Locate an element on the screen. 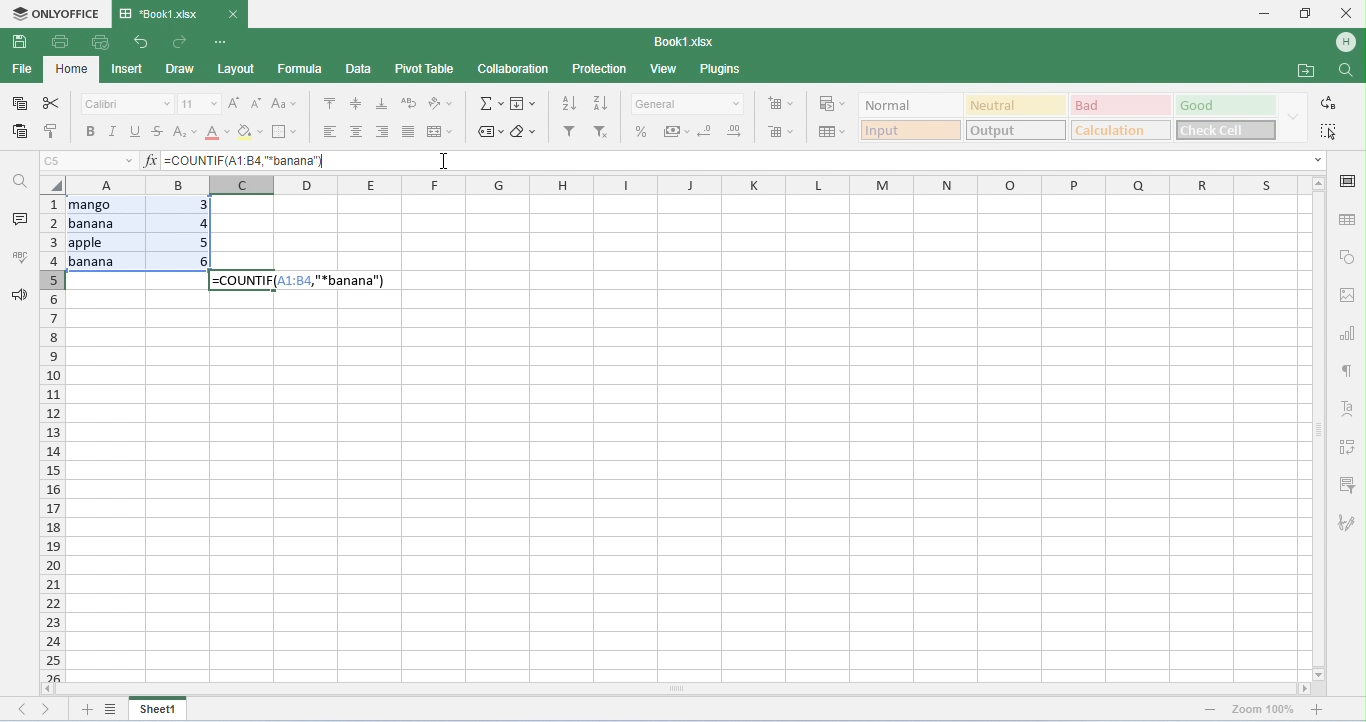 This screenshot has width=1366, height=722. normal is located at coordinates (909, 105).